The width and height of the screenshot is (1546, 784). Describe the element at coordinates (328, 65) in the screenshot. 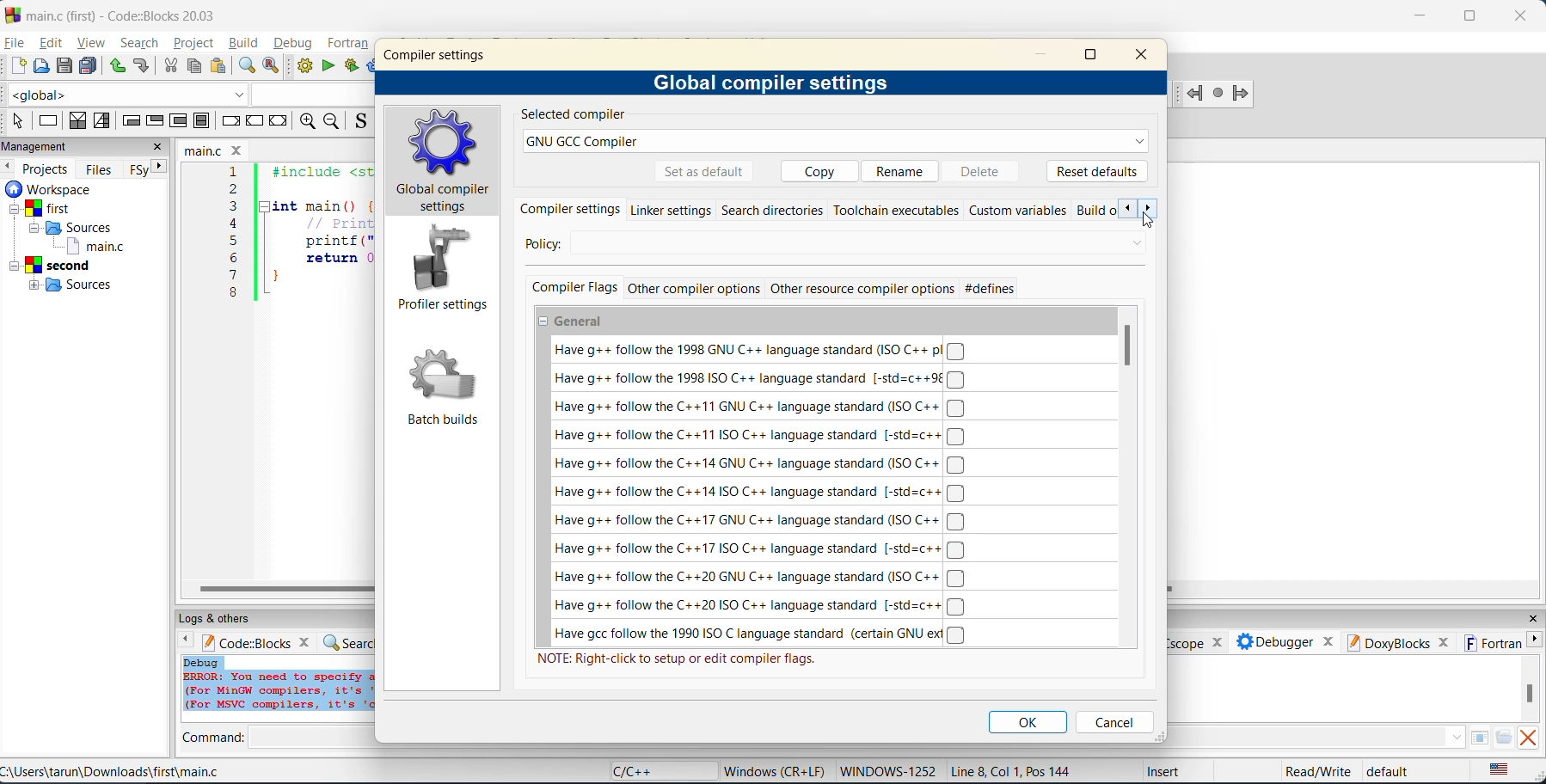

I see `run` at that location.